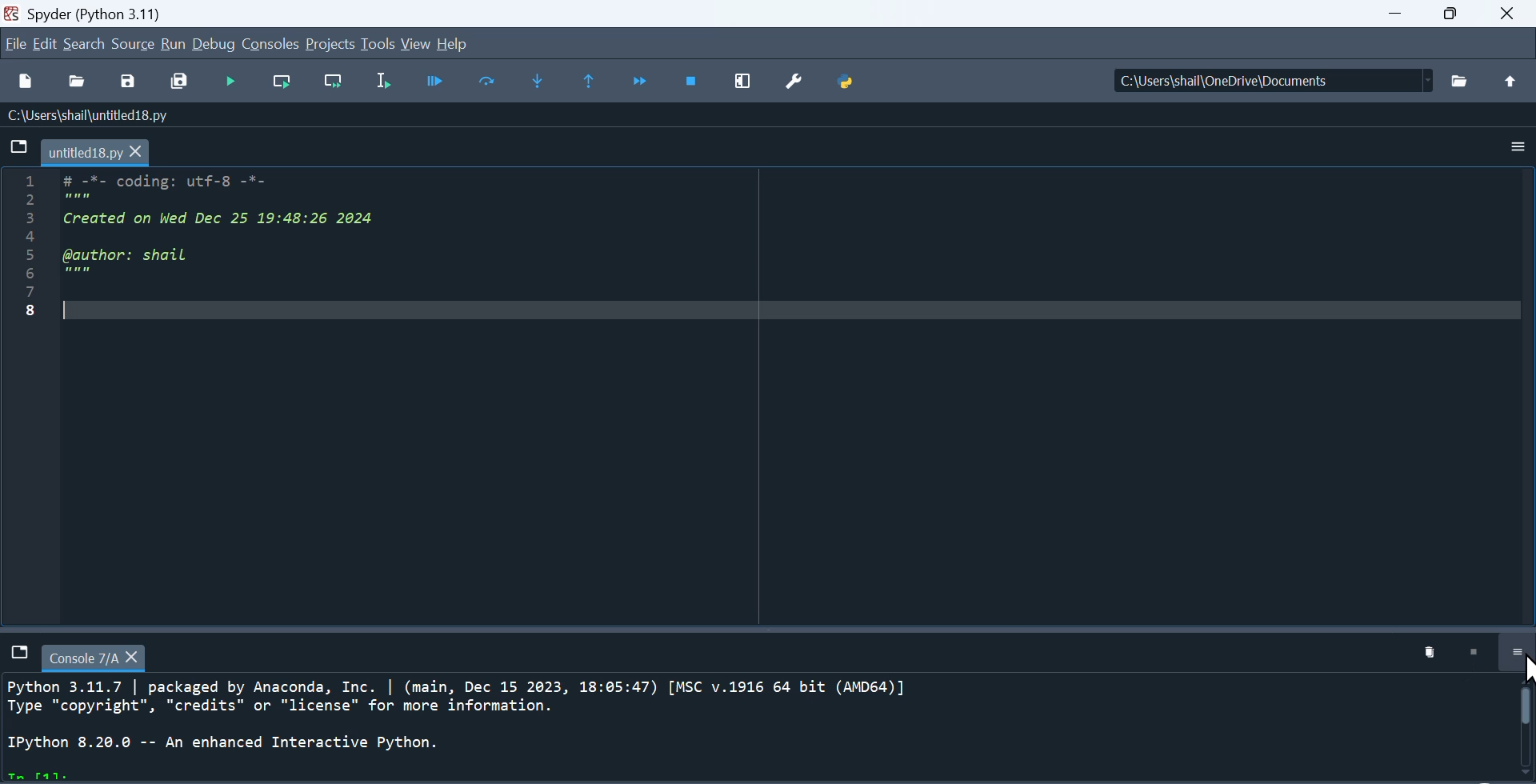 This screenshot has width=1536, height=784. Describe the element at coordinates (326, 43) in the screenshot. I see `projects` at that location.